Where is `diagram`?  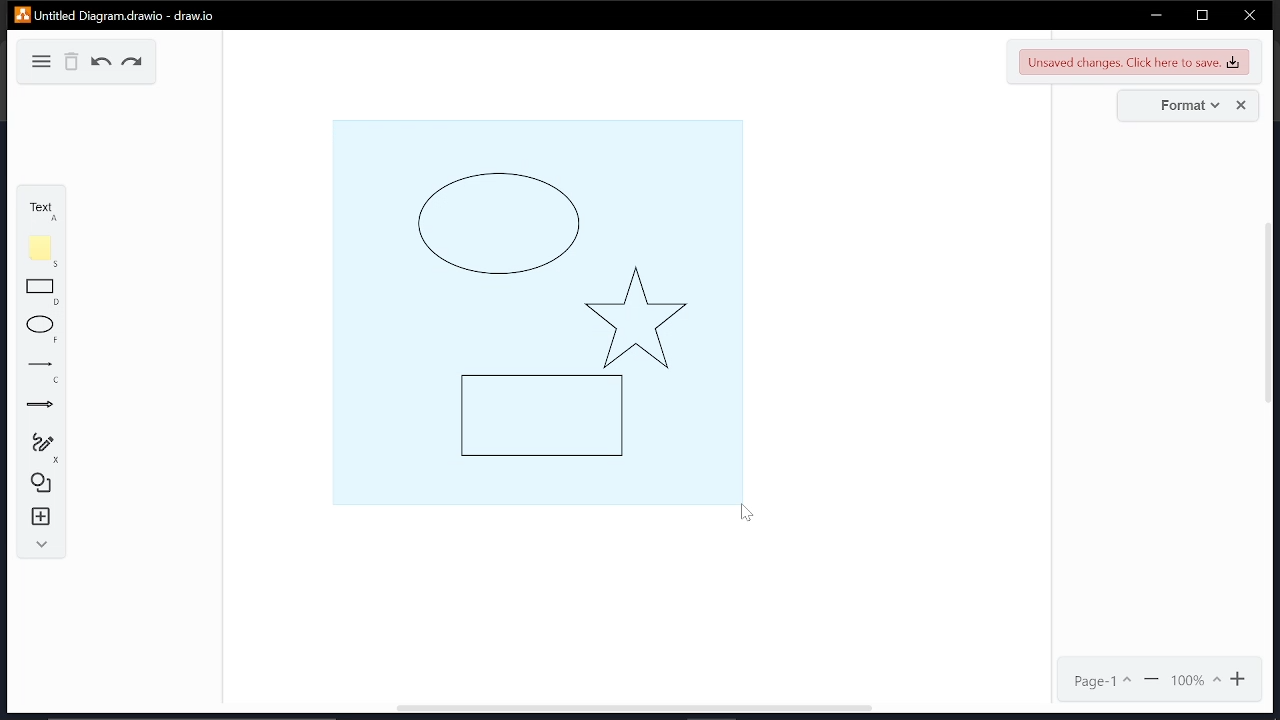
diagram is located at coordinates (38, 60).